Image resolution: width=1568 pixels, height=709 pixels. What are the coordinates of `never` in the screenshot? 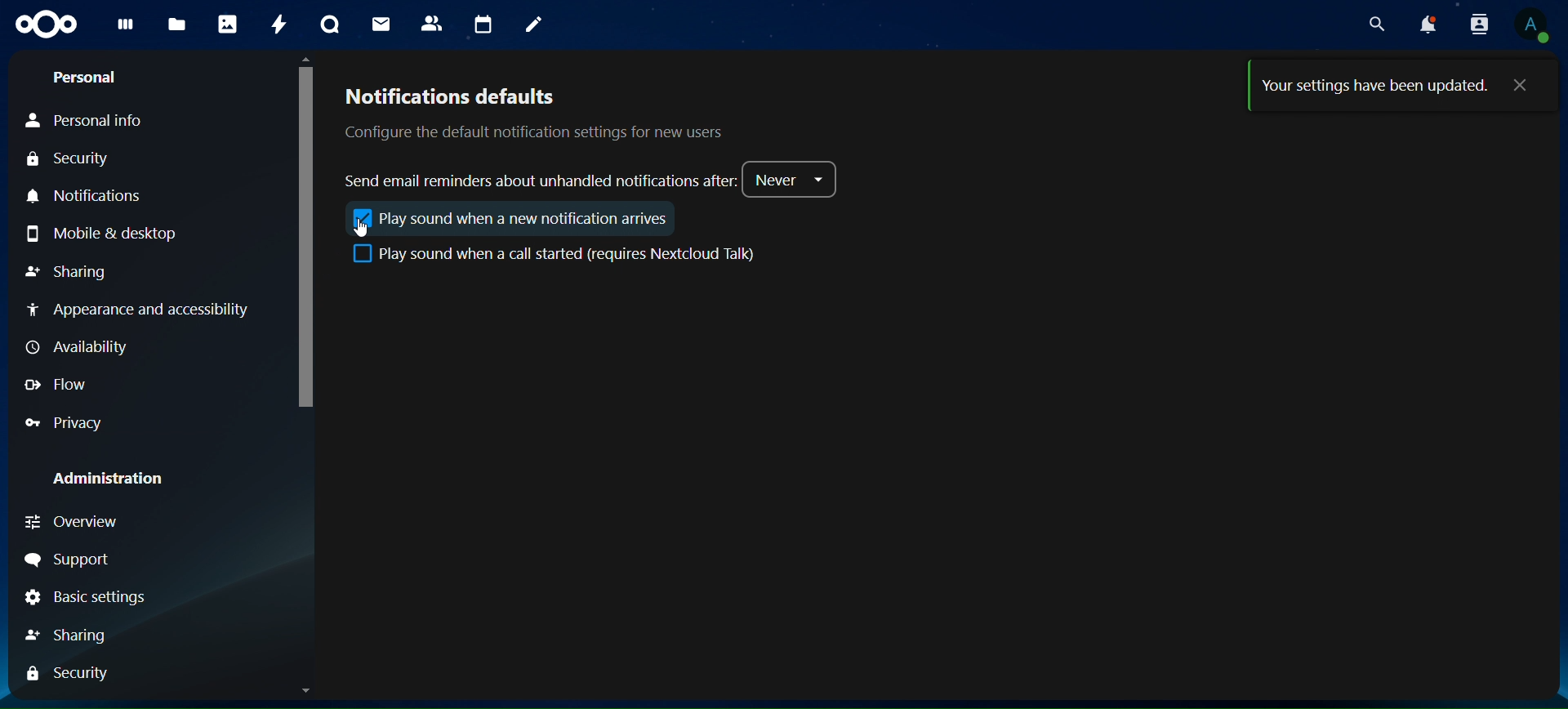 It's located at (793, 179).